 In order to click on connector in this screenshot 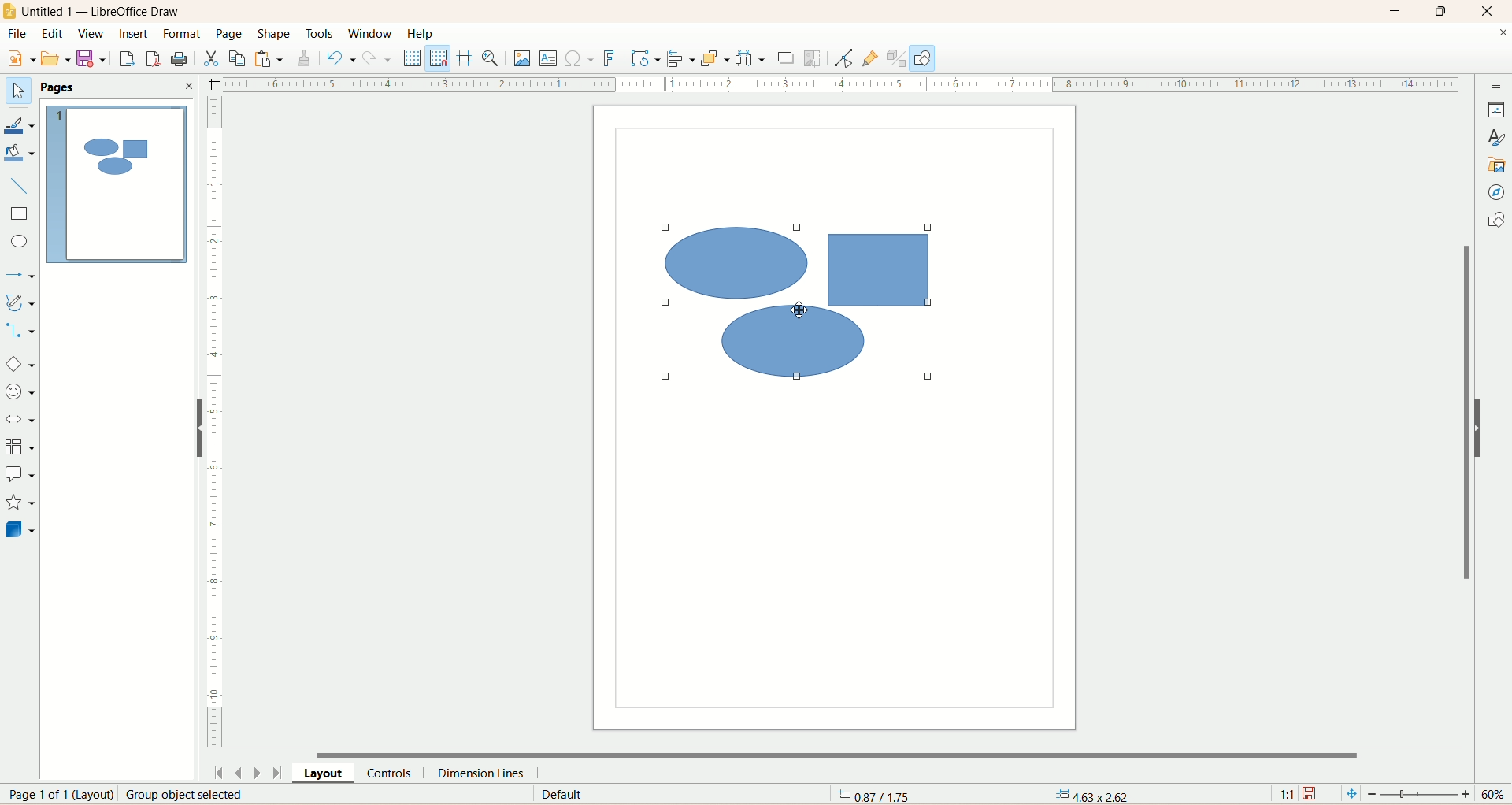, I will do `click(19, 331)`.